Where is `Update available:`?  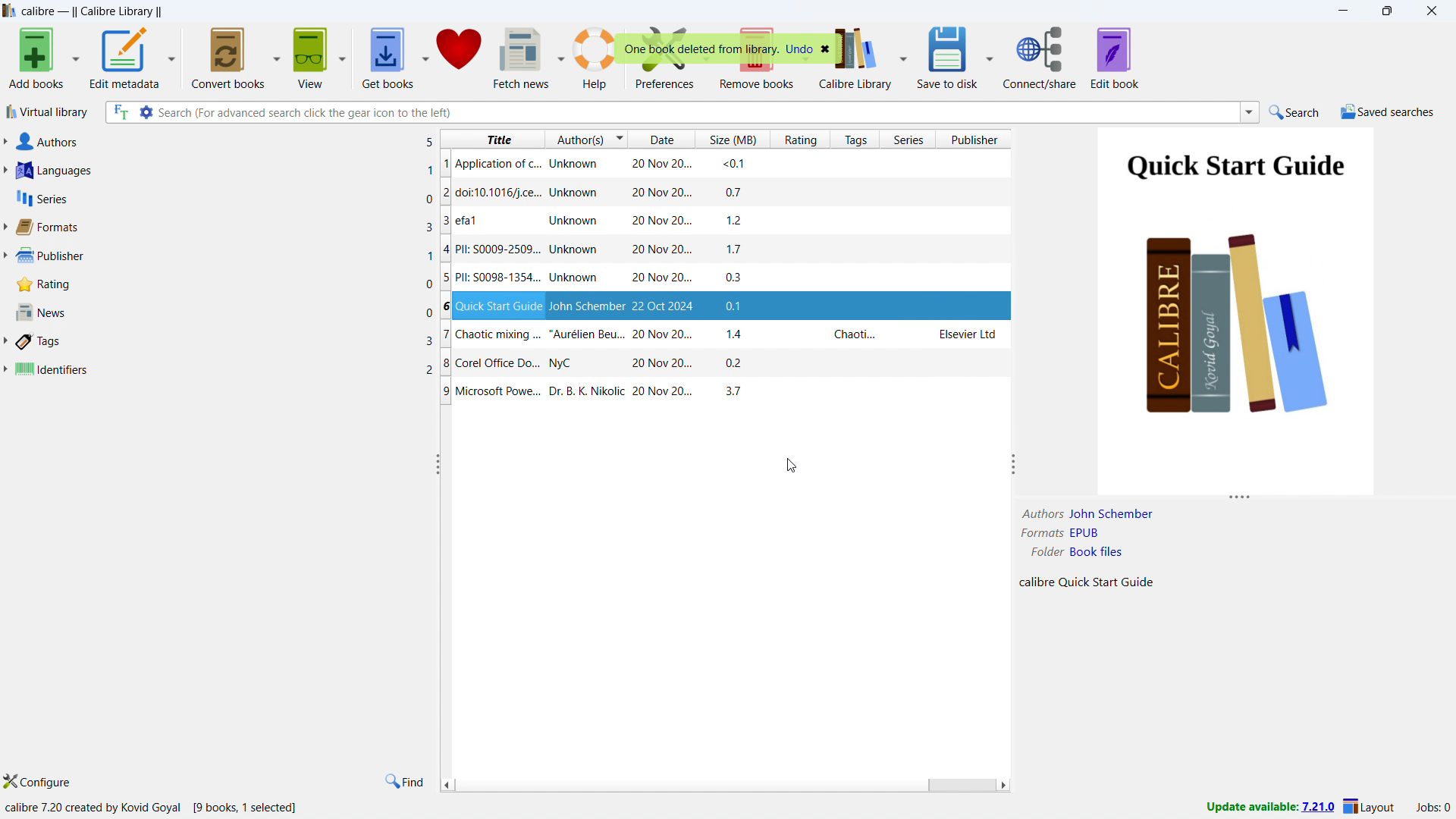
Update available: is located at coordinates (1252, 807).